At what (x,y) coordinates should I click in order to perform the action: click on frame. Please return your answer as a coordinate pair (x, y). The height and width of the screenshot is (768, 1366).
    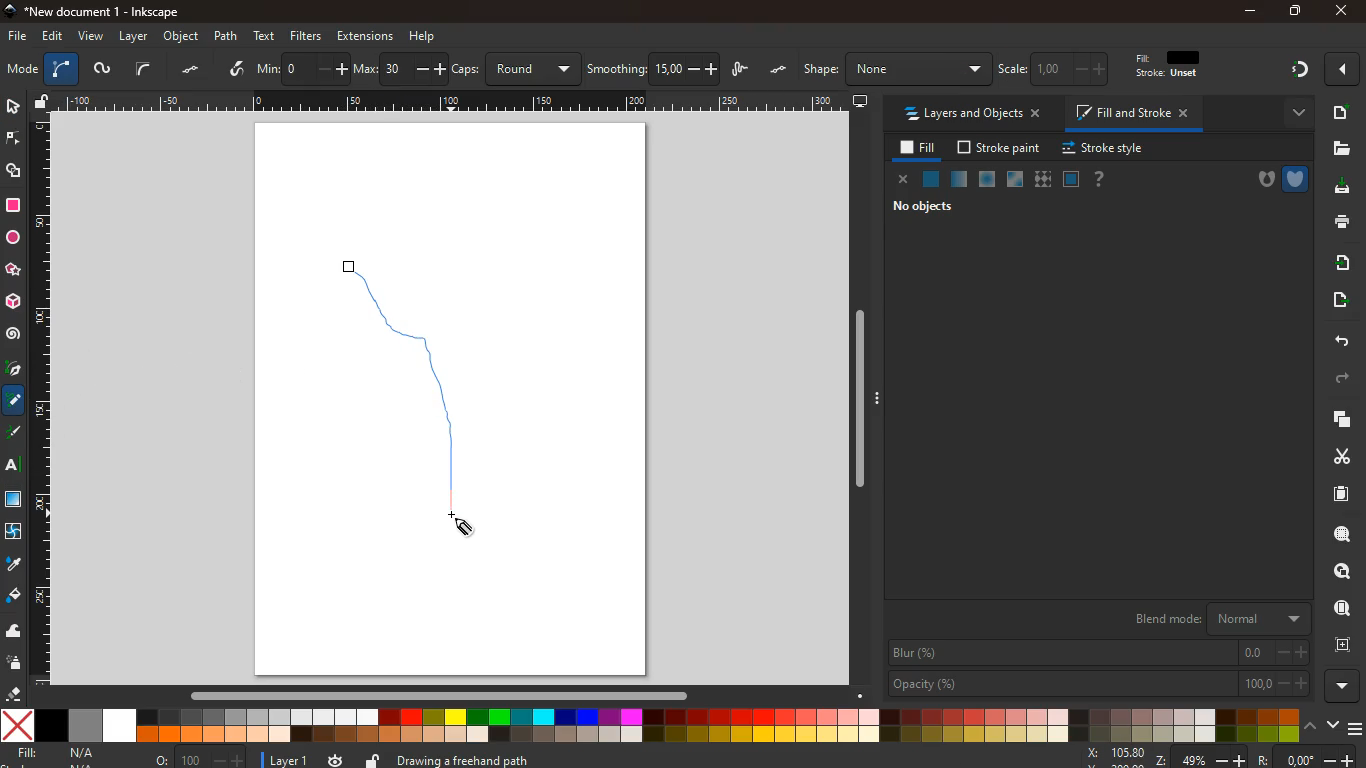
    Looking at the image, I should click on (1070, 179).